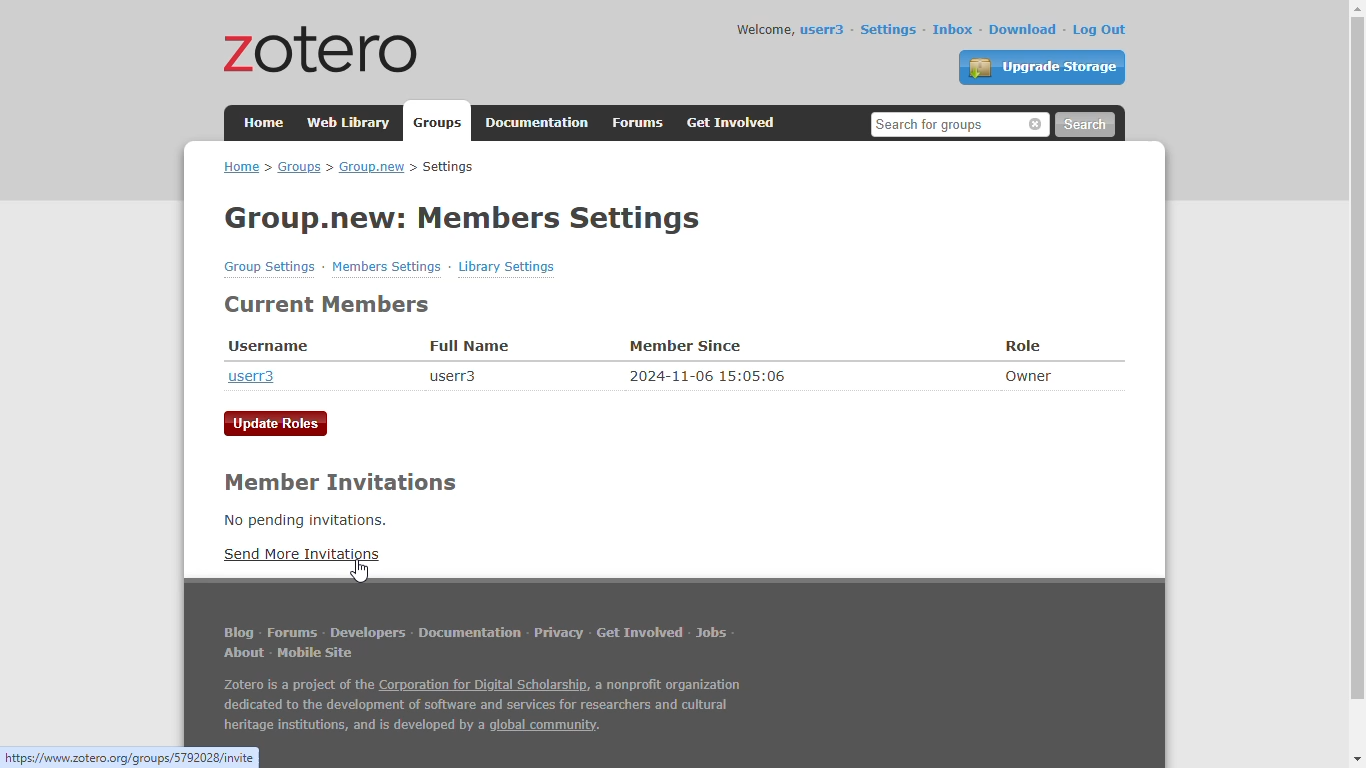  What do you see at coordinates (265, 121) in the screenshot?
I see `home` at bounding box center [265, 121].